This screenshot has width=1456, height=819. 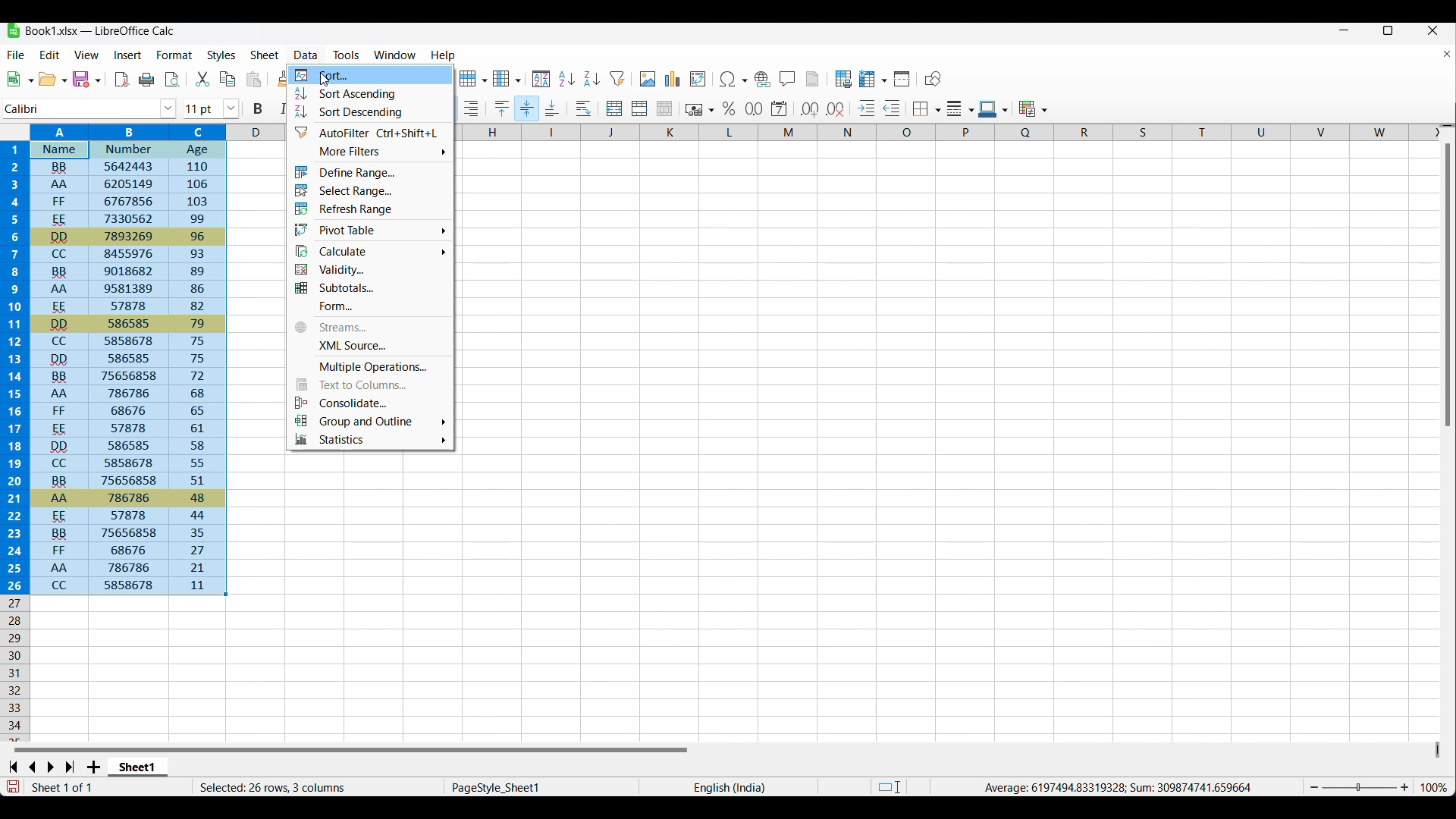 What do you see at coordinates (369, 230) in the screenshot?
I see `Pivot table options` at bounding box center [369, 230].